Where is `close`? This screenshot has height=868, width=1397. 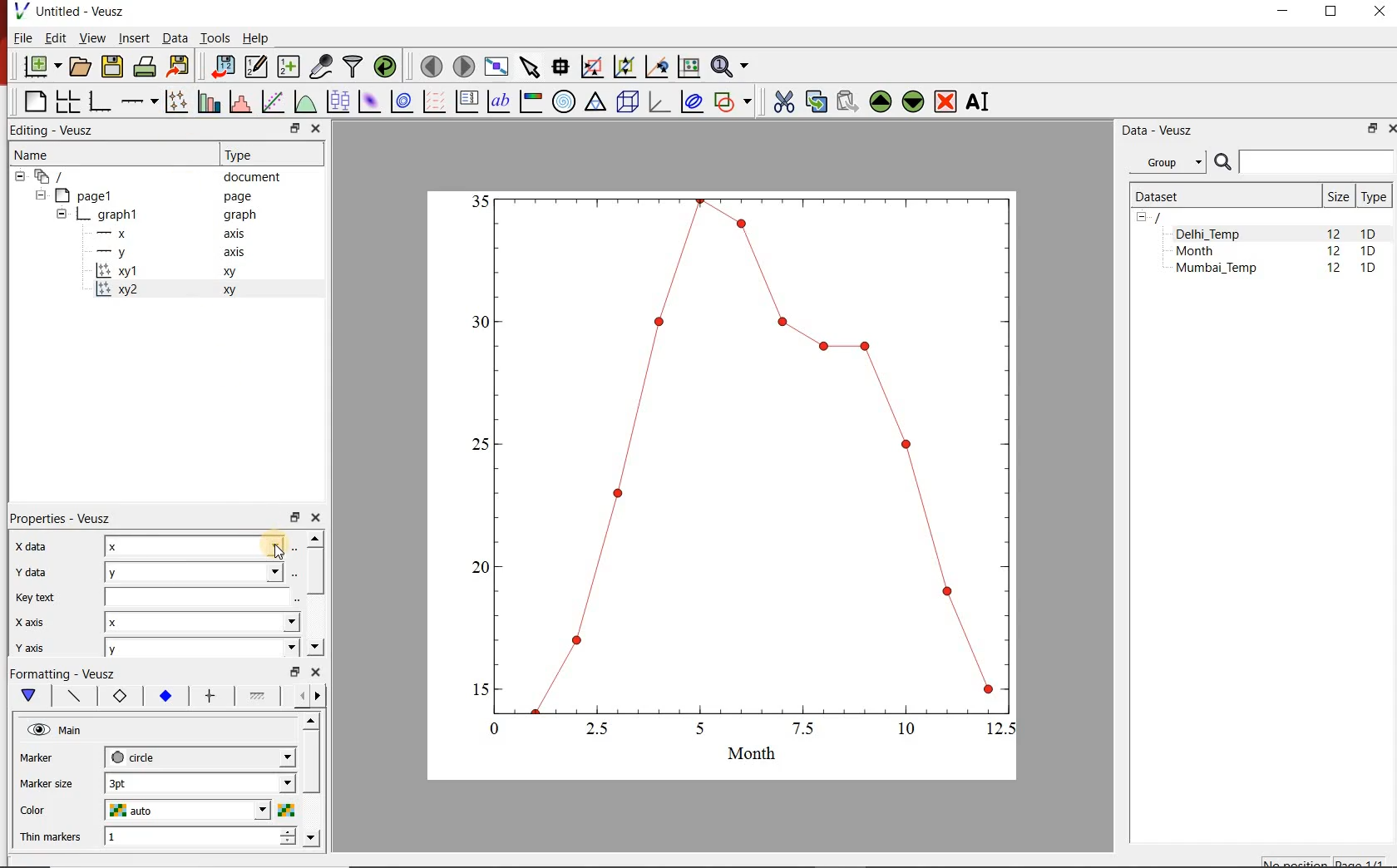
close is located at coordinates (314, 130).